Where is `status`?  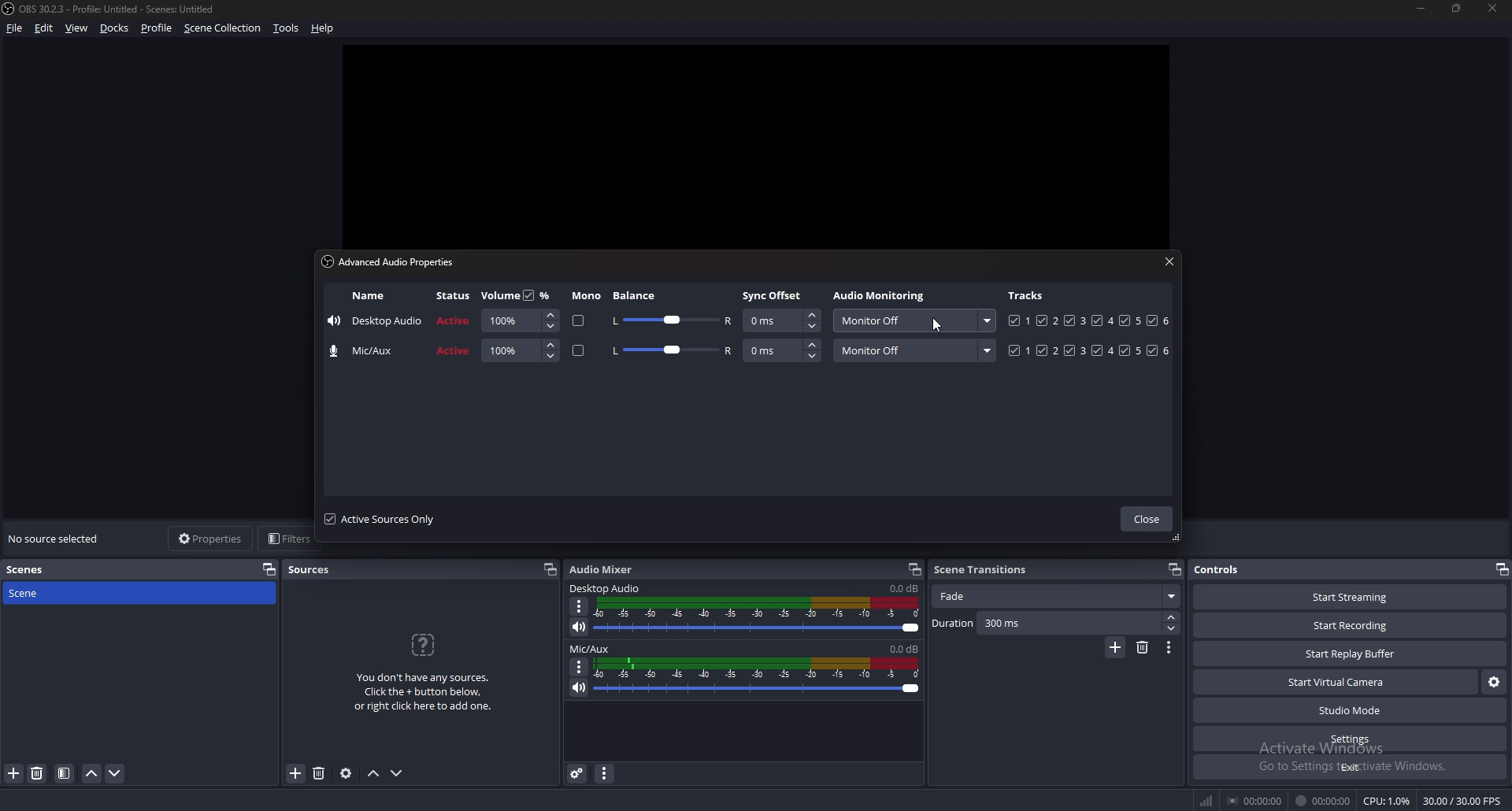
status is located at coordinates (454, 351).